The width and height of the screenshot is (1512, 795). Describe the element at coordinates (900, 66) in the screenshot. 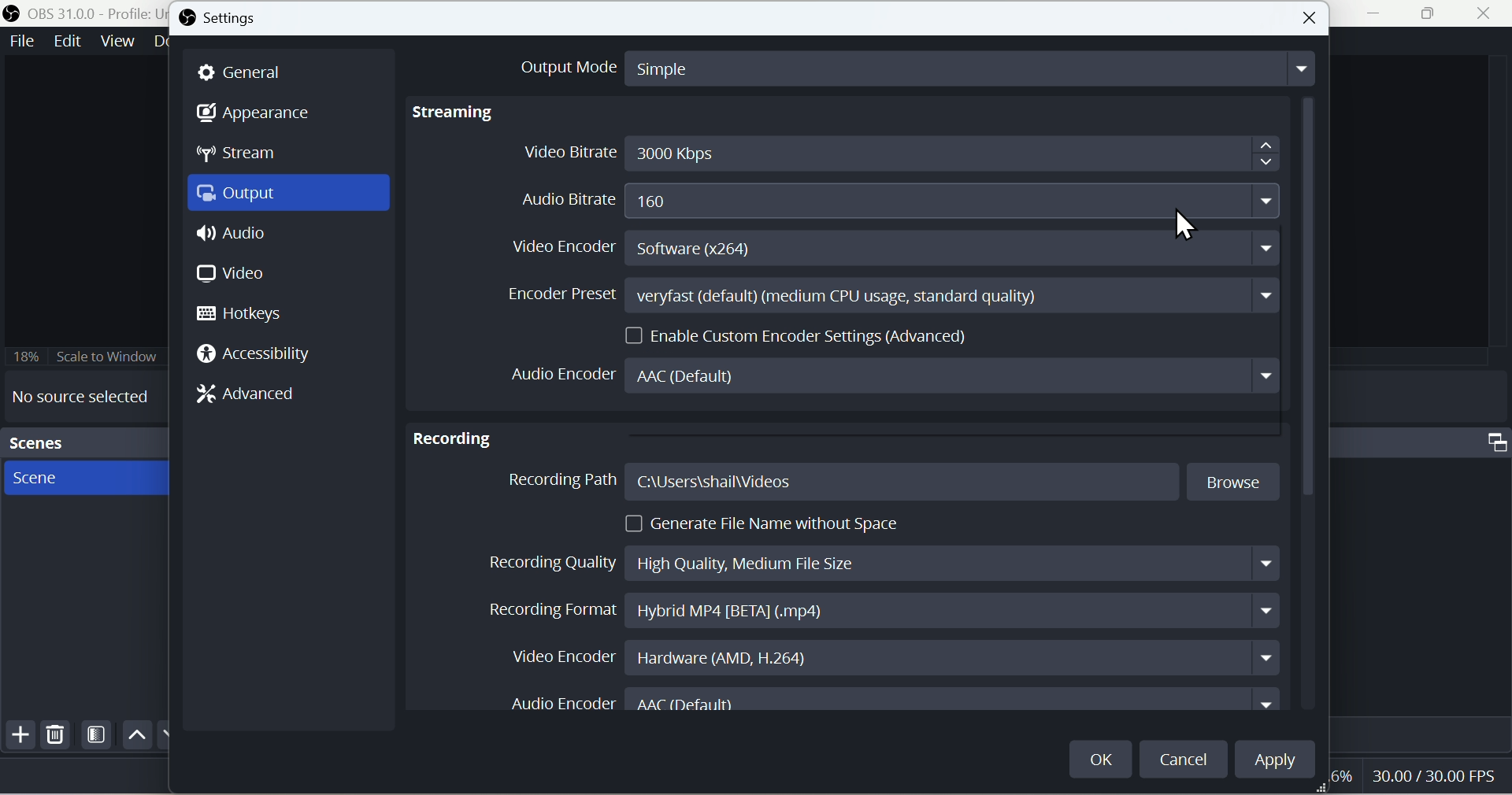

I see `Output Mode` at that location.